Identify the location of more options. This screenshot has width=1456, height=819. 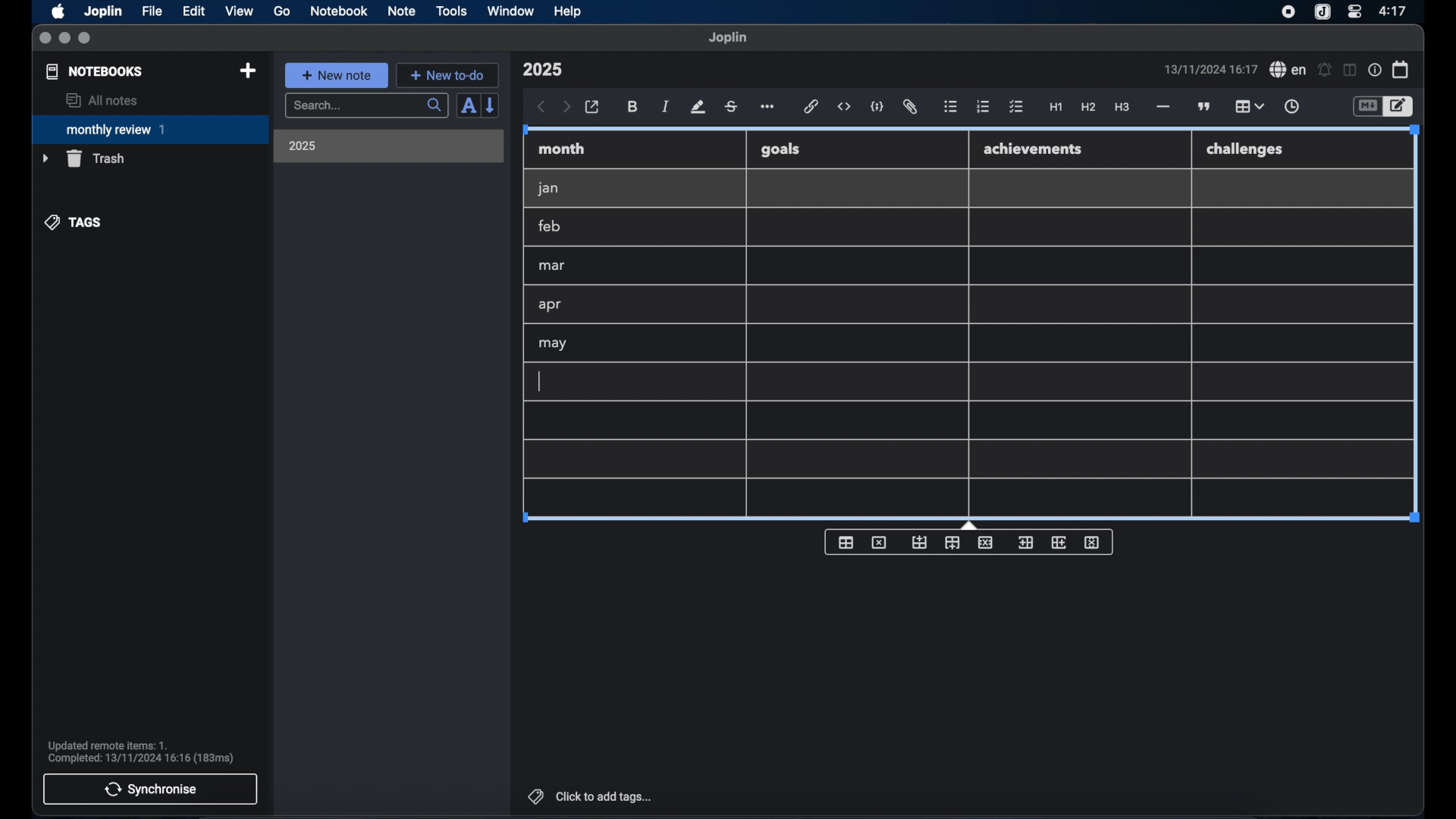
(769, 108).